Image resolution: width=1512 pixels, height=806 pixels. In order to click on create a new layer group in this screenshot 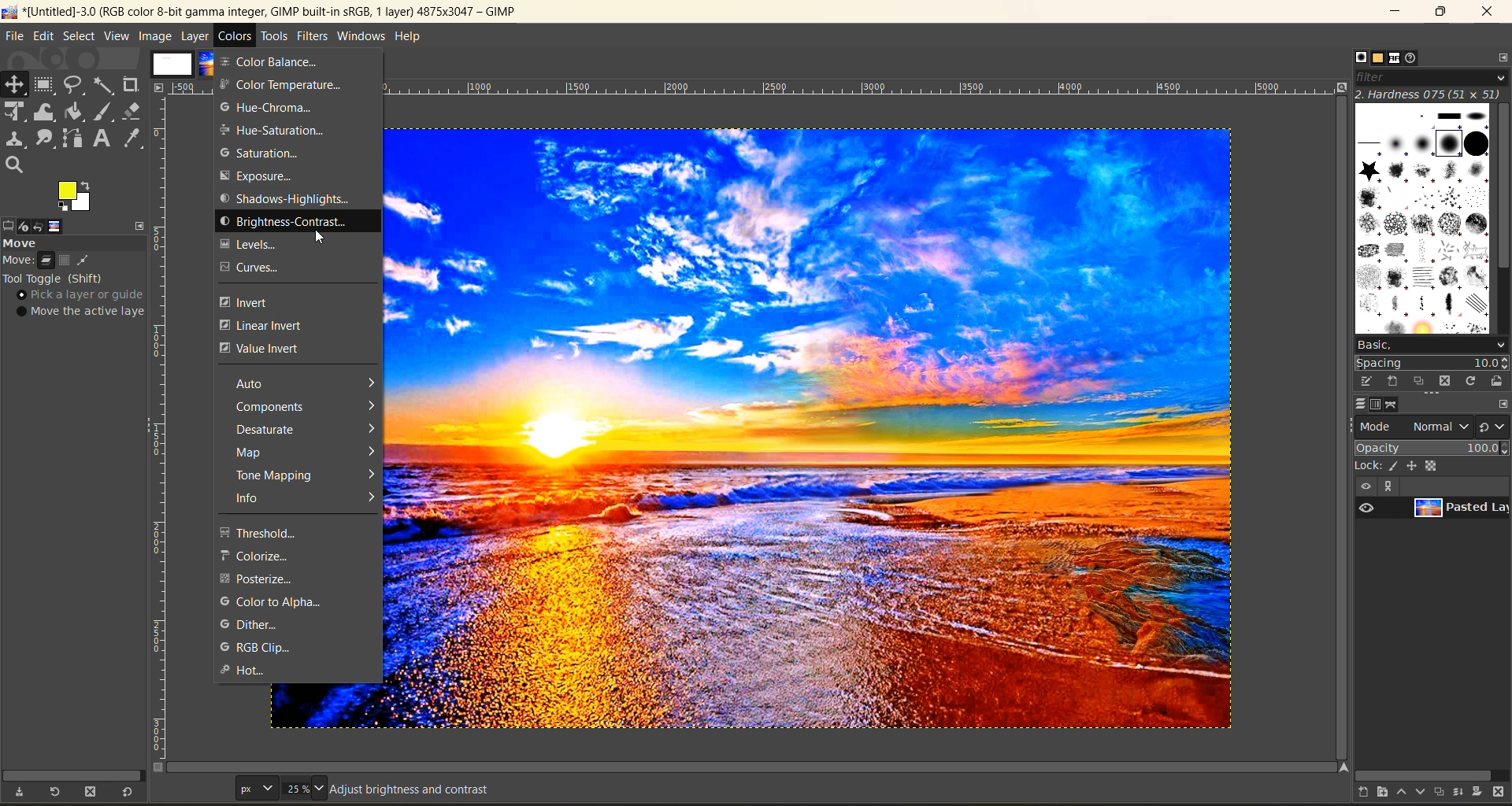, I will do `click(1390, 793)`.